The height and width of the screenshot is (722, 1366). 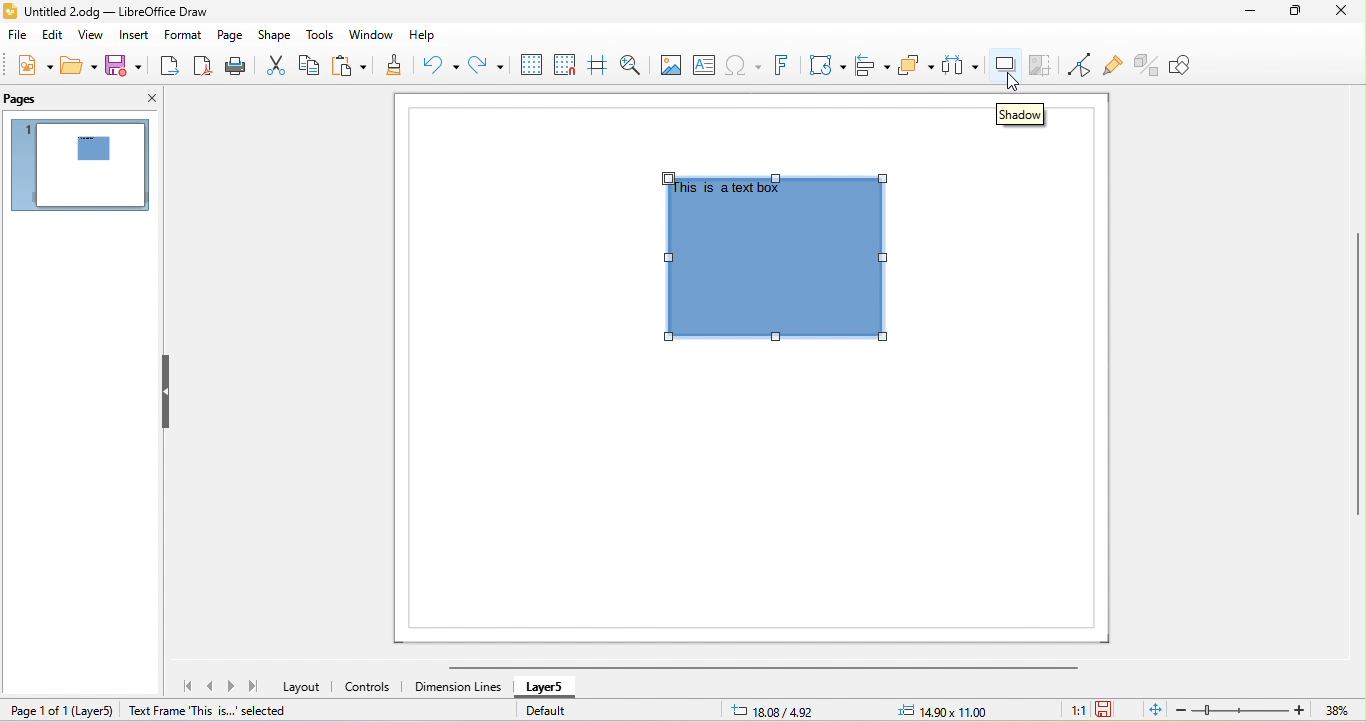 What do you see at coordinates (1071, 711) in the screenshot?
I see `1:1` at bounding box center [1071, 711].